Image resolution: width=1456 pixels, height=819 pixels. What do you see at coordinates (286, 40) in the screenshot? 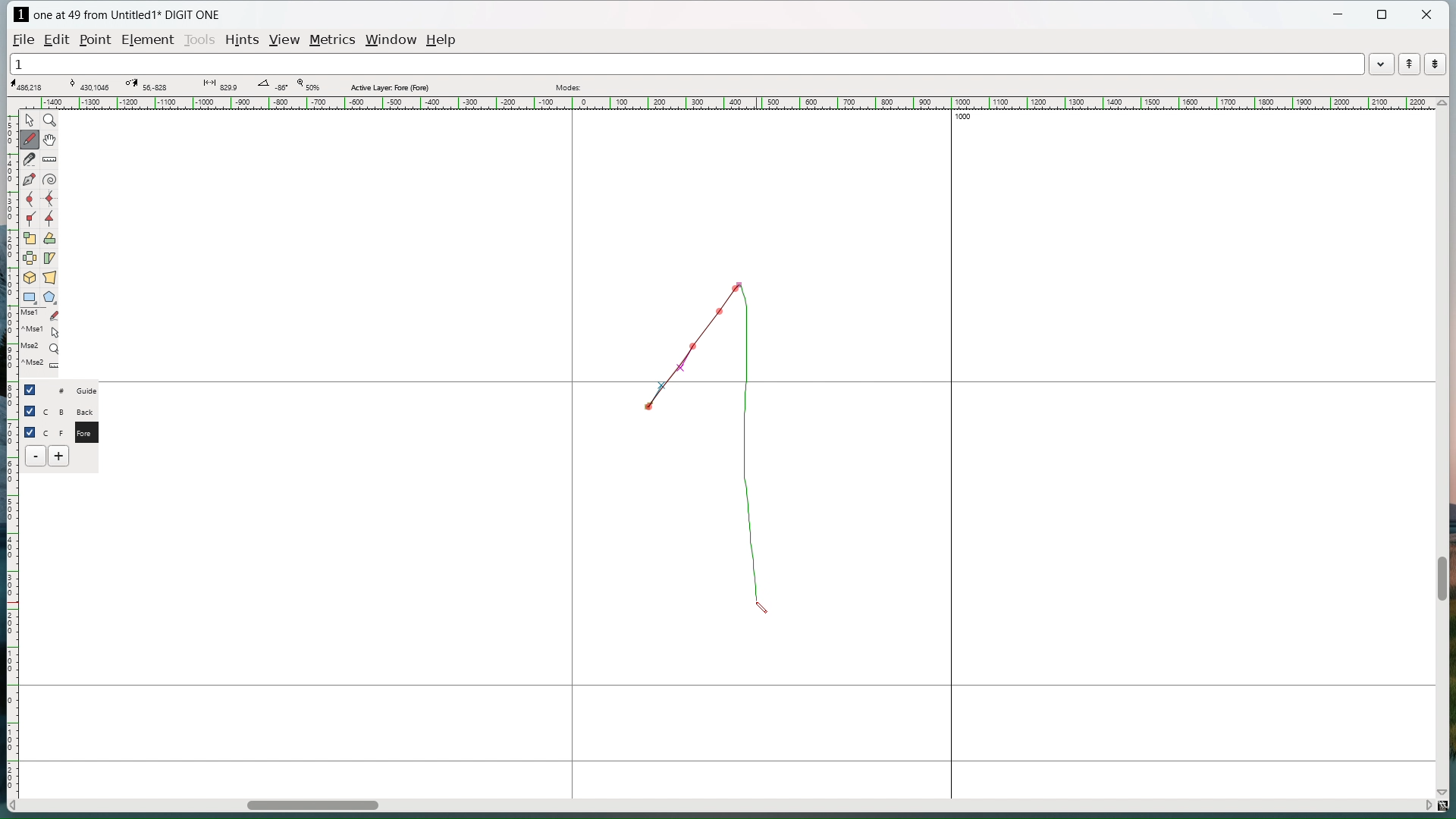
I see `view` at bounding box center [286, 40].